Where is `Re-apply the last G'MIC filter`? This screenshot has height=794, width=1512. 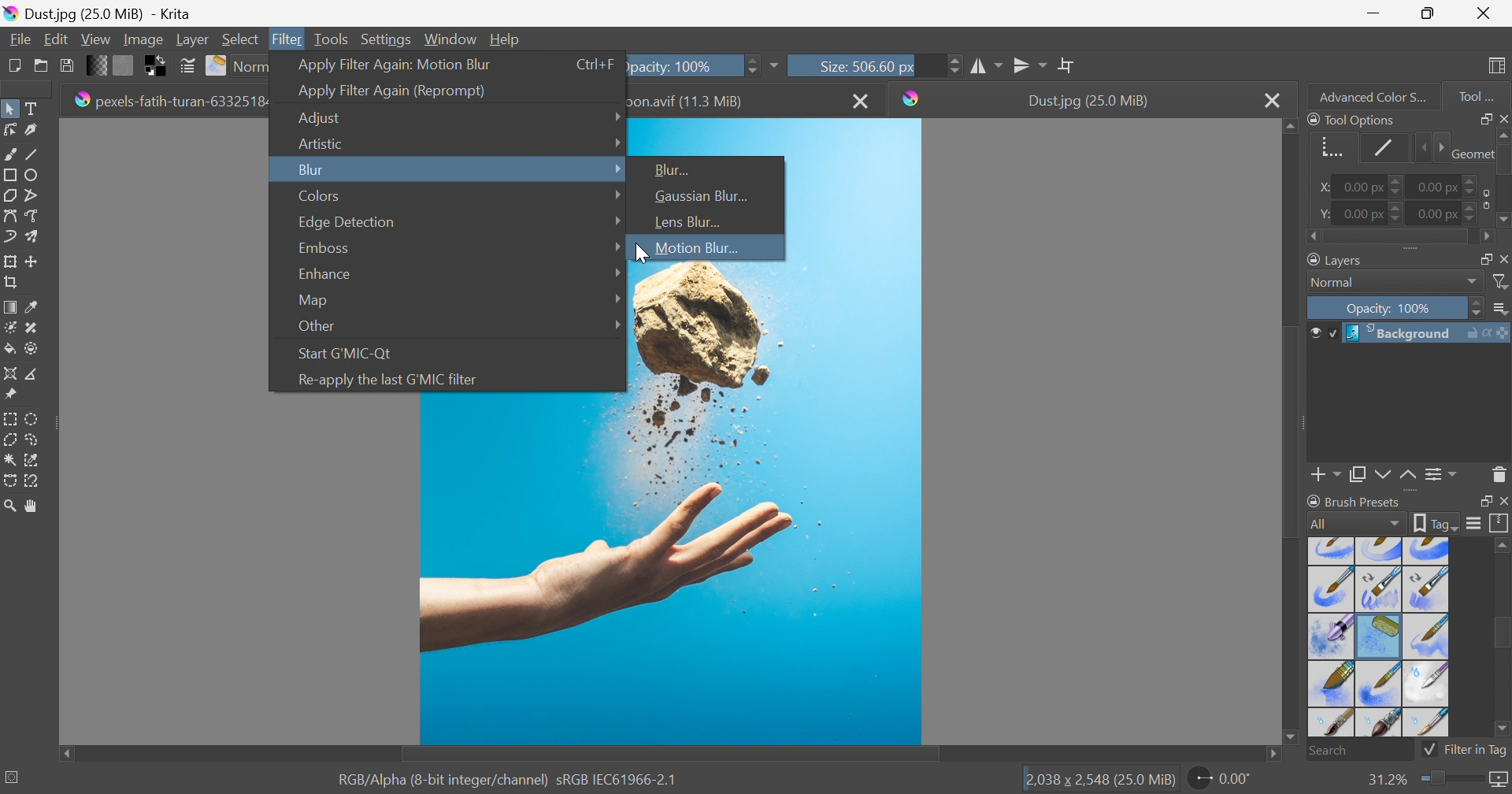 Re-apply the last G'MIC filter is located at coordinates (387, 380).